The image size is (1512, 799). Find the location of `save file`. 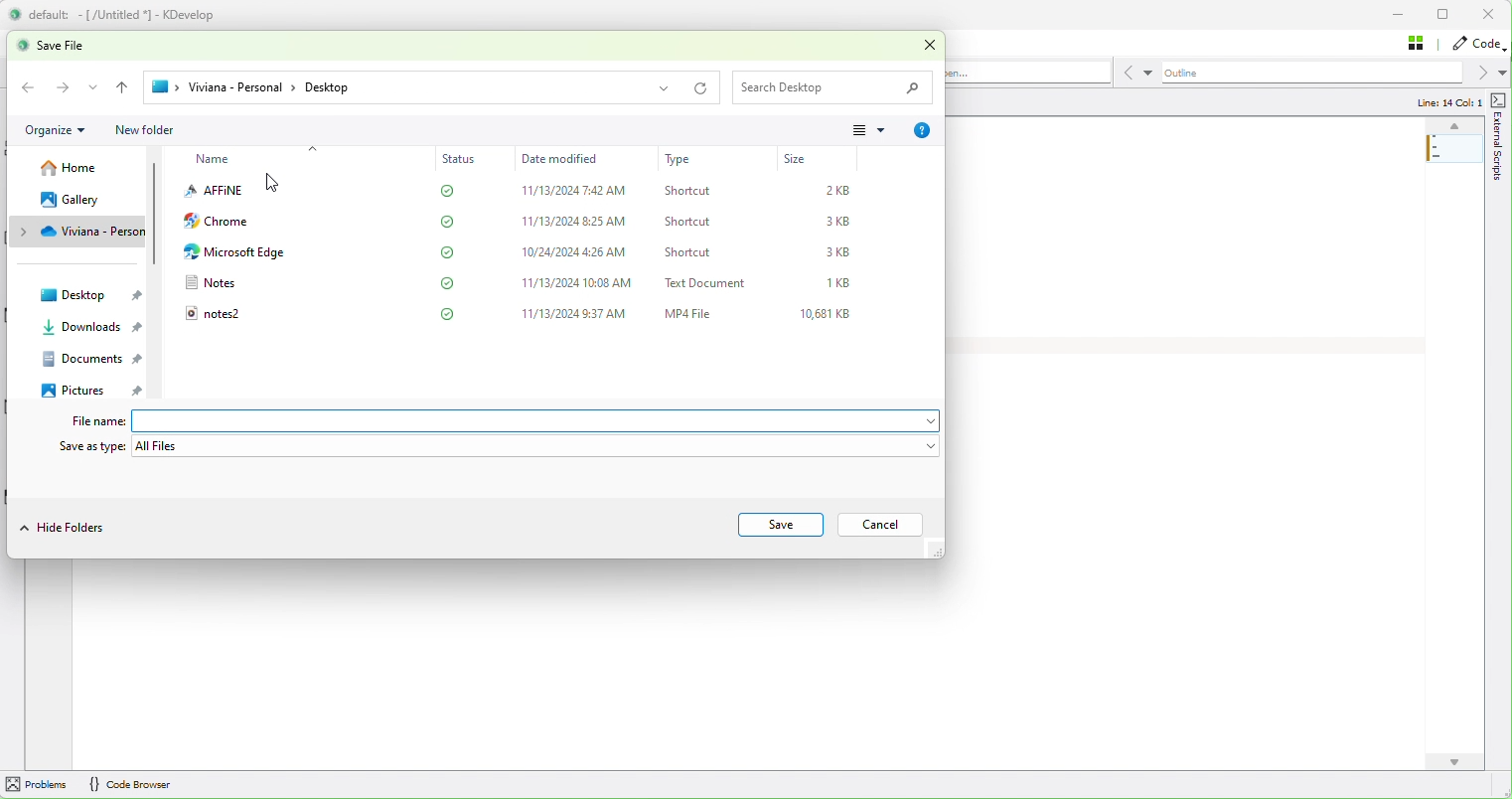

save file is located at coordinates (73, 46).